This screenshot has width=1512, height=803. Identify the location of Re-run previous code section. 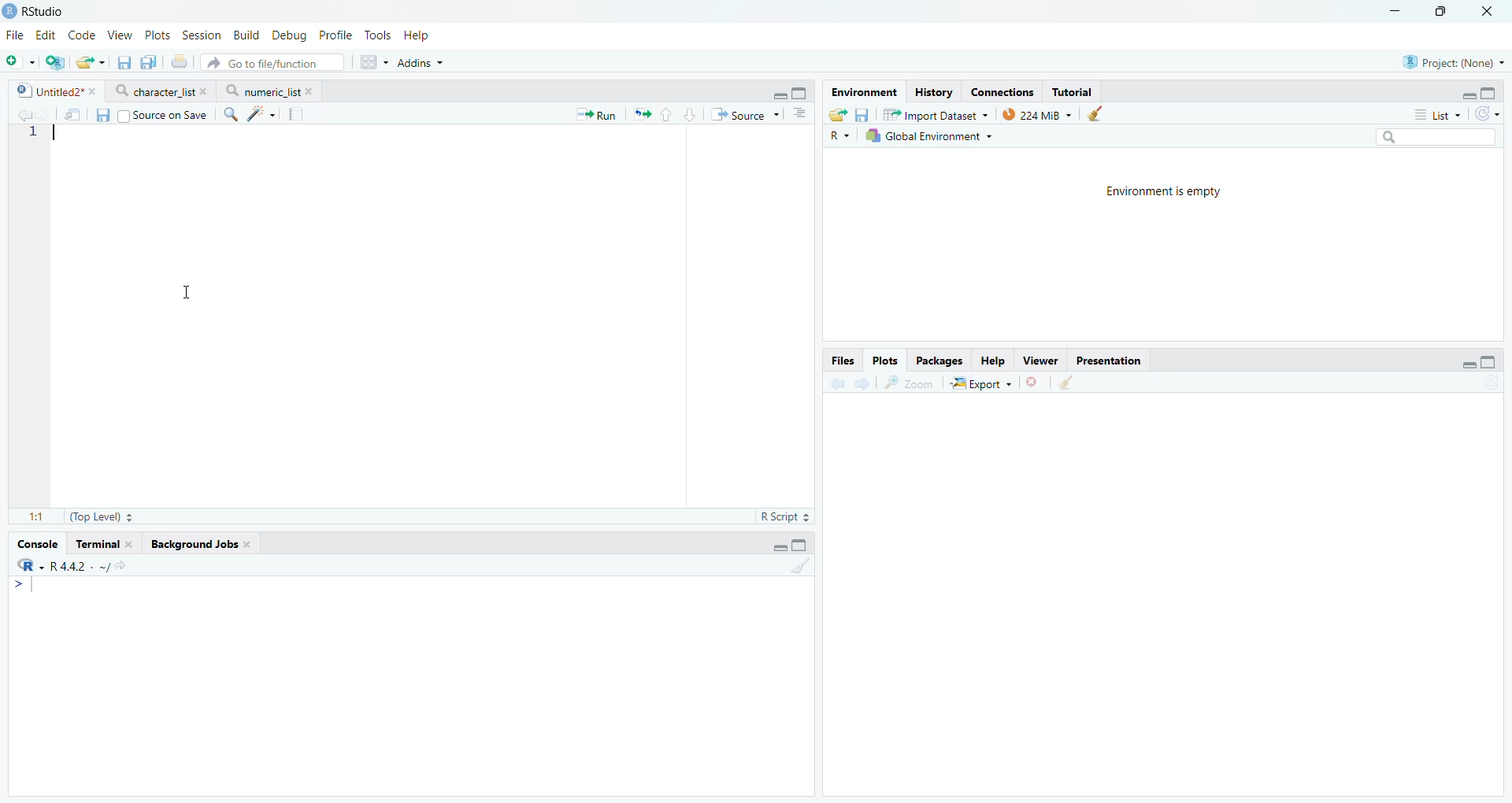
(643, 115).